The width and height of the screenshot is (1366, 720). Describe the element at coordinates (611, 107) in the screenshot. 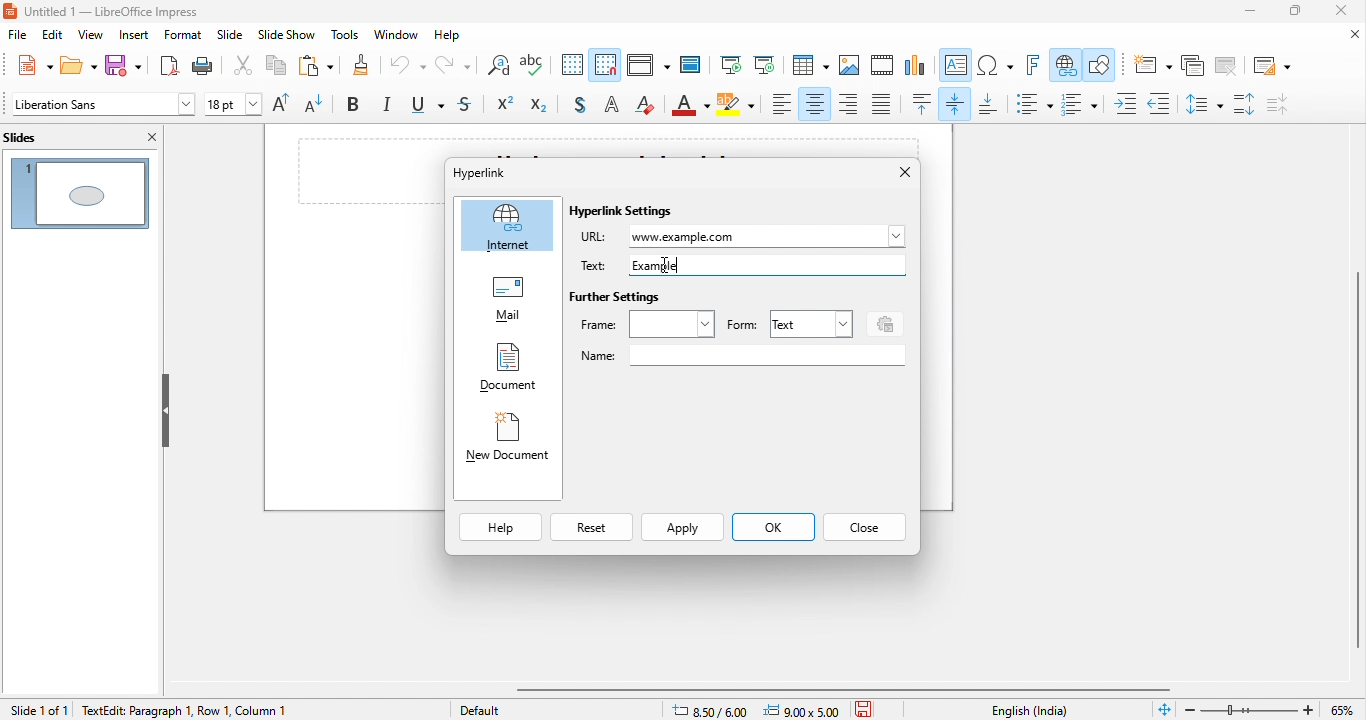

I see `apply outline attribute to font` at that location.